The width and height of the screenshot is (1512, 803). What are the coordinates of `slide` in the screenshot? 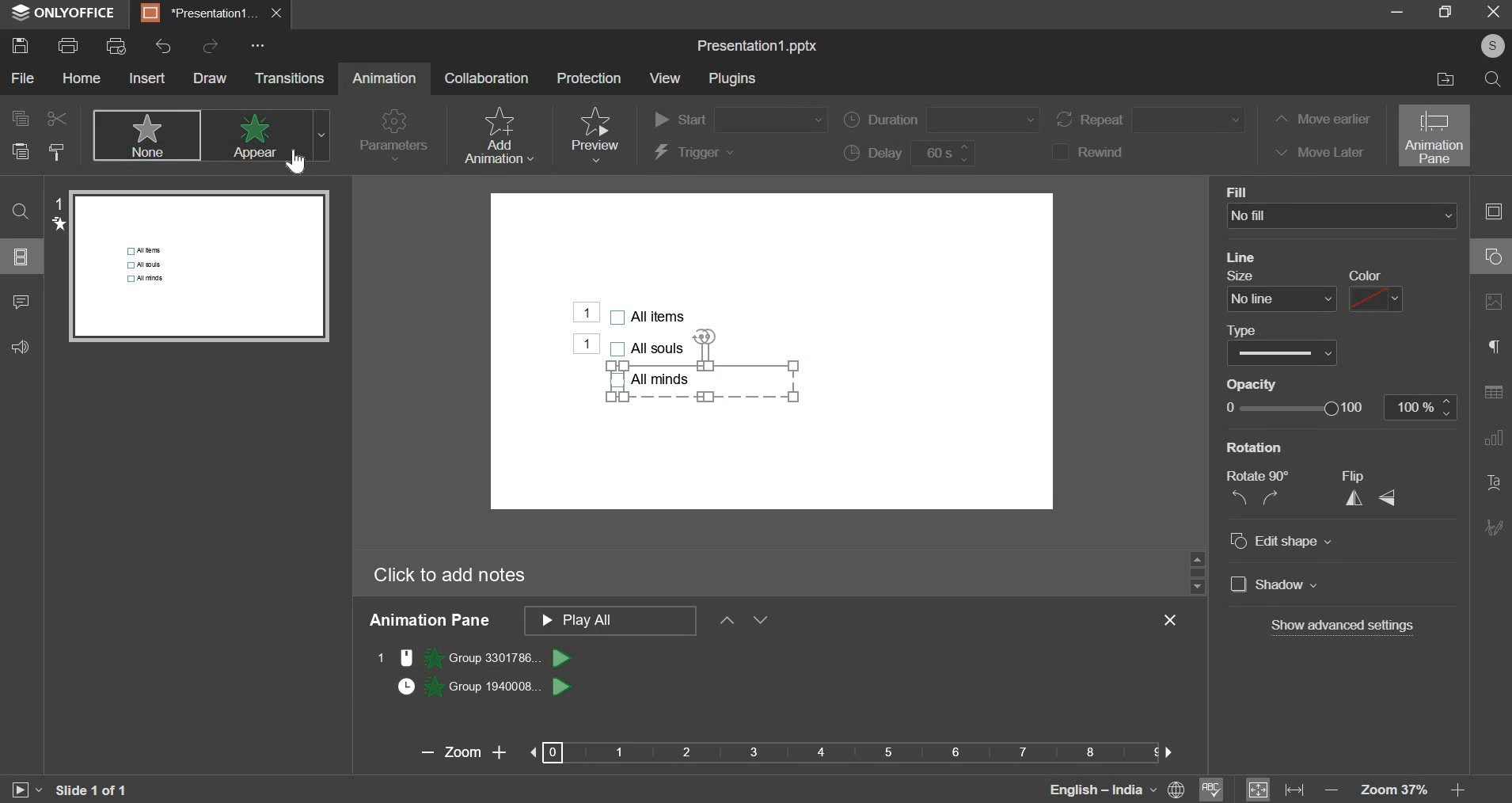 It's located at (23, 257).